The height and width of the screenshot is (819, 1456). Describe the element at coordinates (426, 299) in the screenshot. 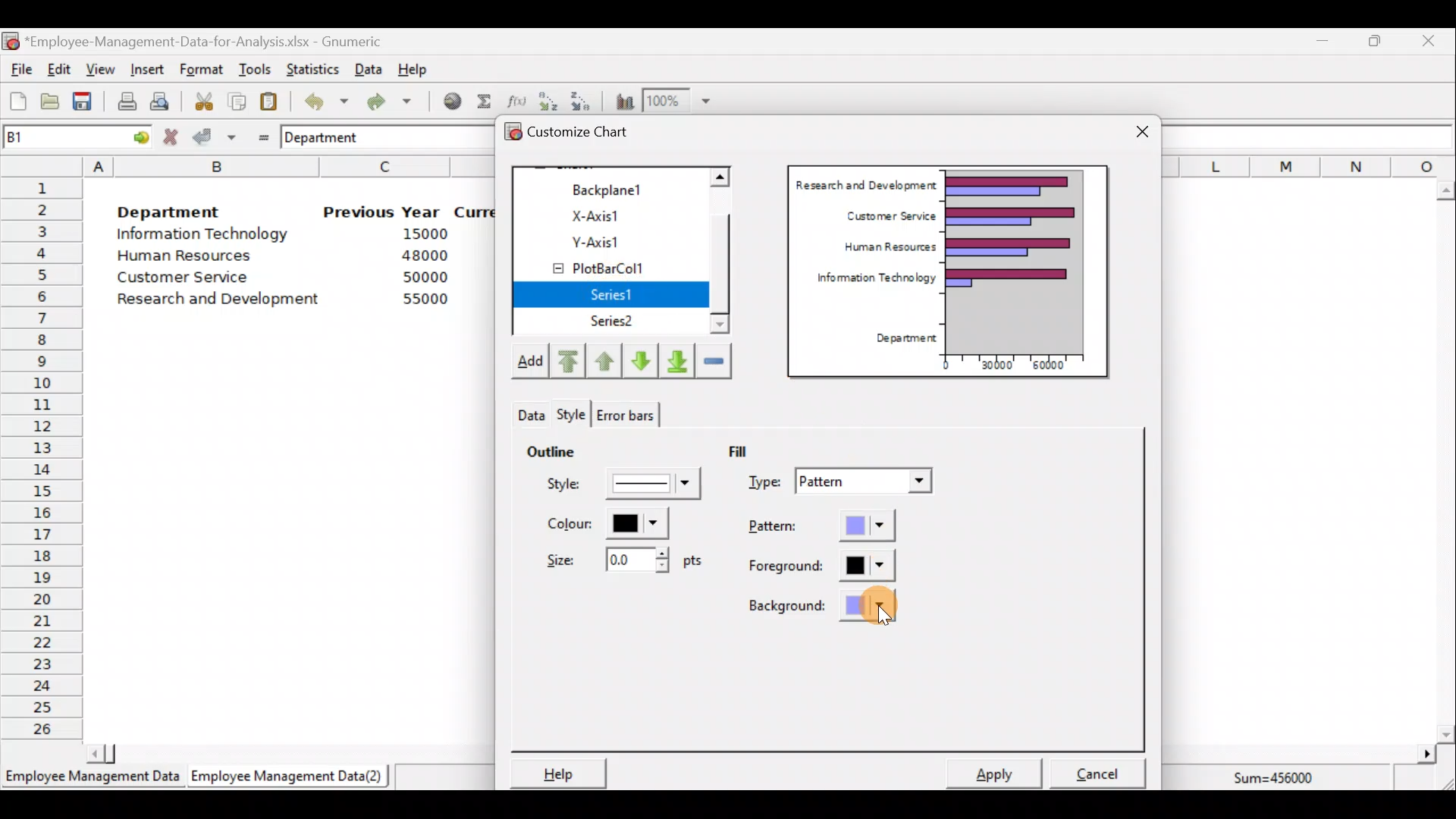

I see `55000` at that location.